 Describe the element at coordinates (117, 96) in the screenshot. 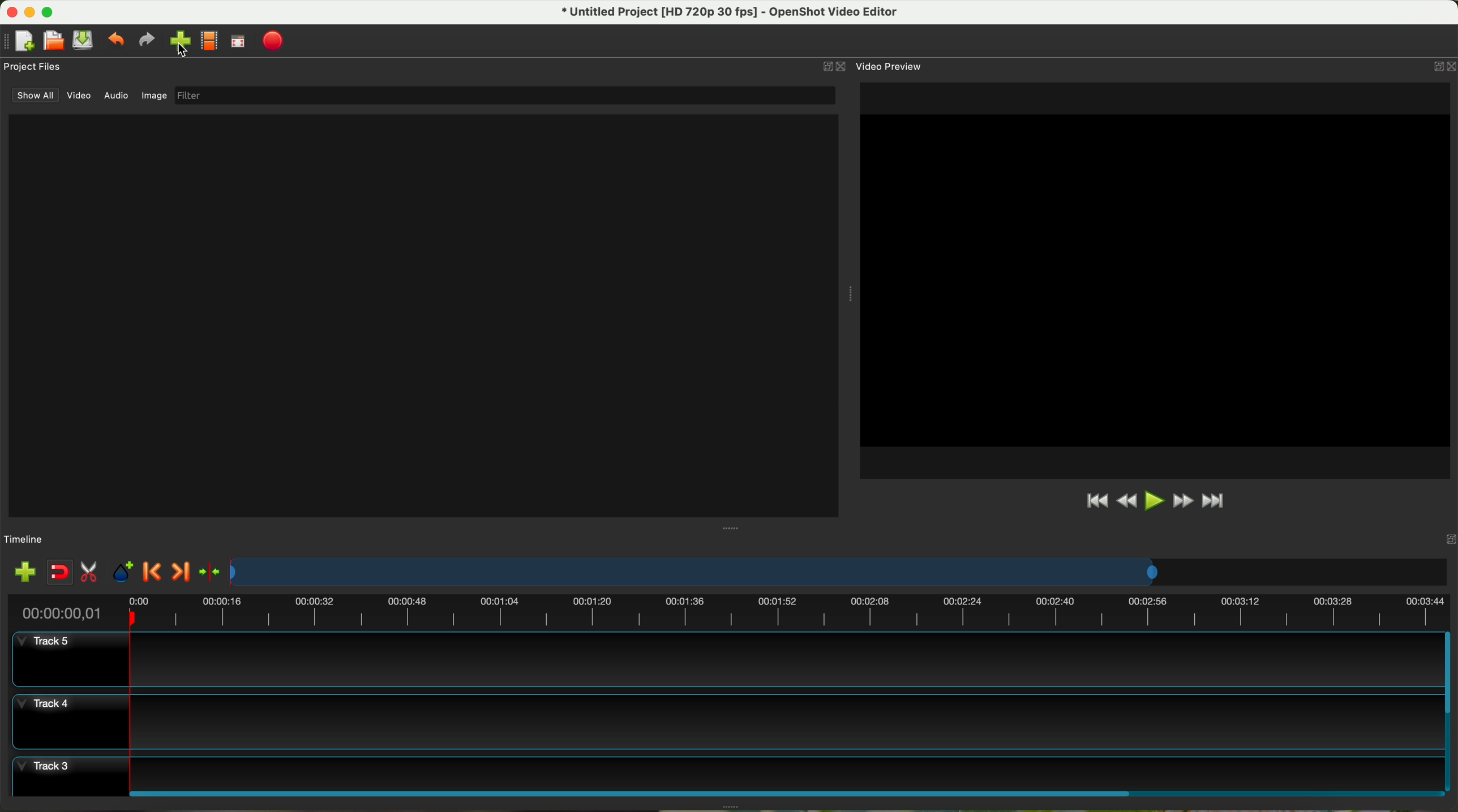

I see `audio` at that location.